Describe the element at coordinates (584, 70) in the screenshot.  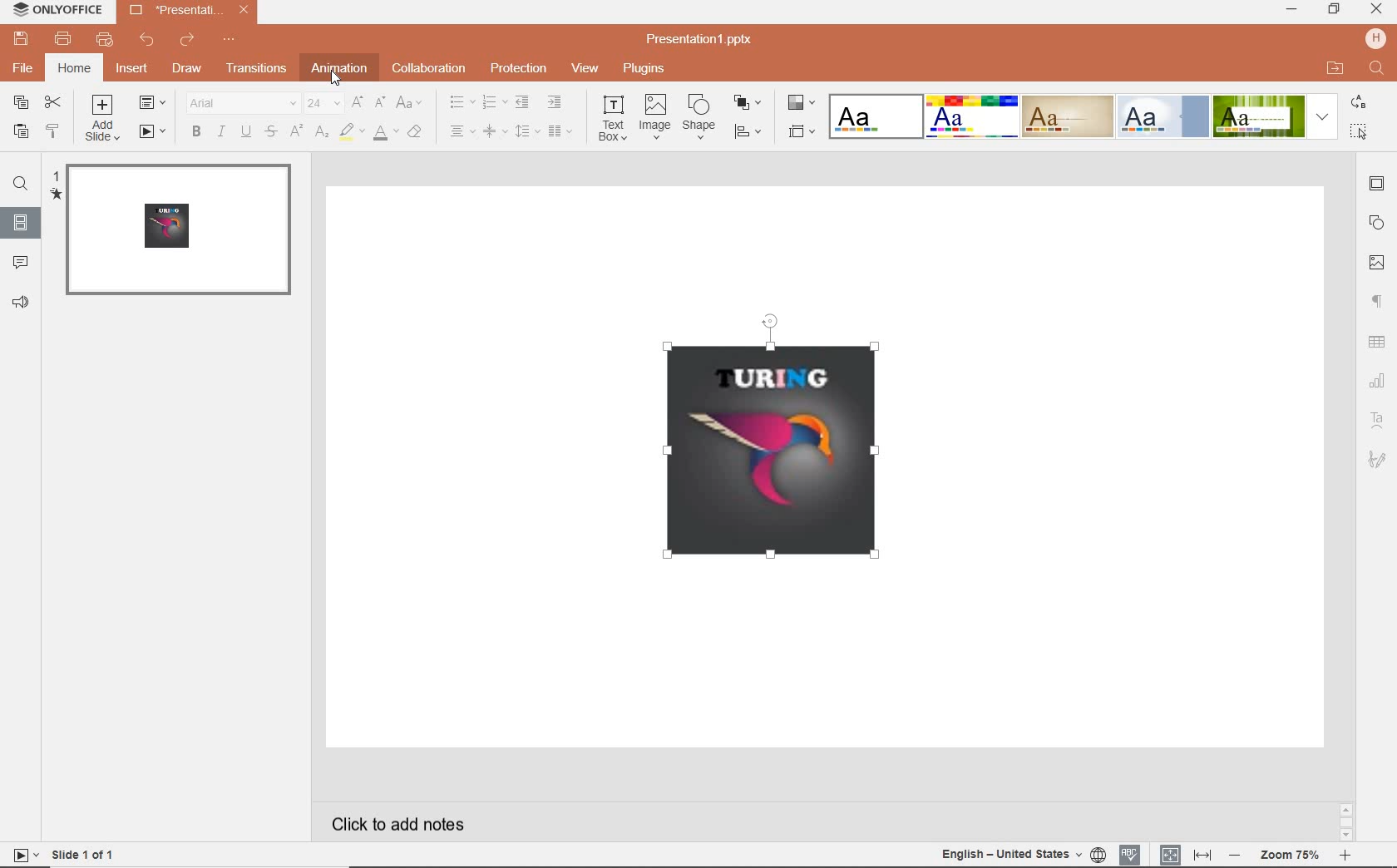
I see `view` at that location.